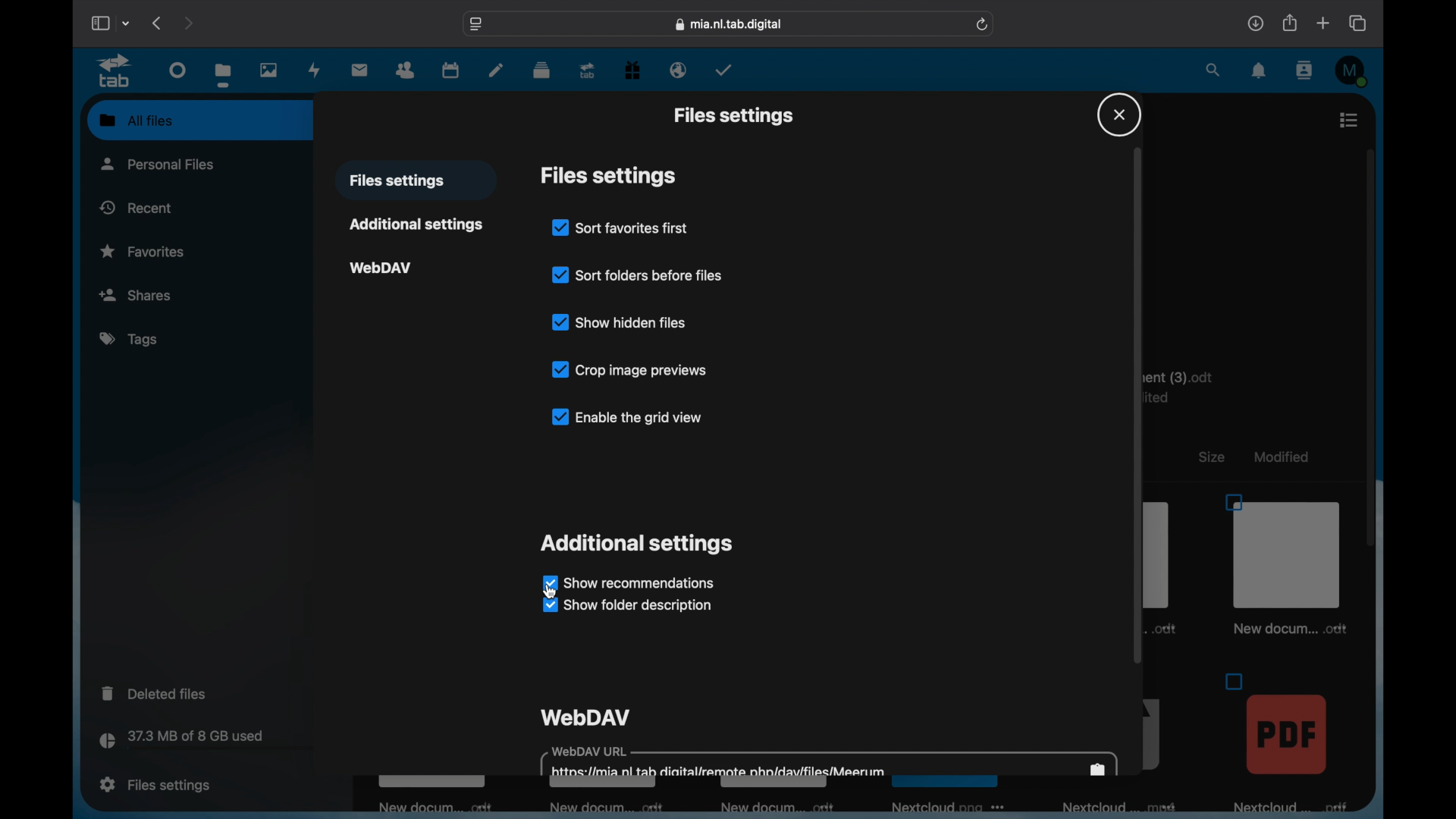 This screenshot has height=819, width=1456. Describe the element at coordinates (497, 69) in the screenshot. I see `notes` at that location.